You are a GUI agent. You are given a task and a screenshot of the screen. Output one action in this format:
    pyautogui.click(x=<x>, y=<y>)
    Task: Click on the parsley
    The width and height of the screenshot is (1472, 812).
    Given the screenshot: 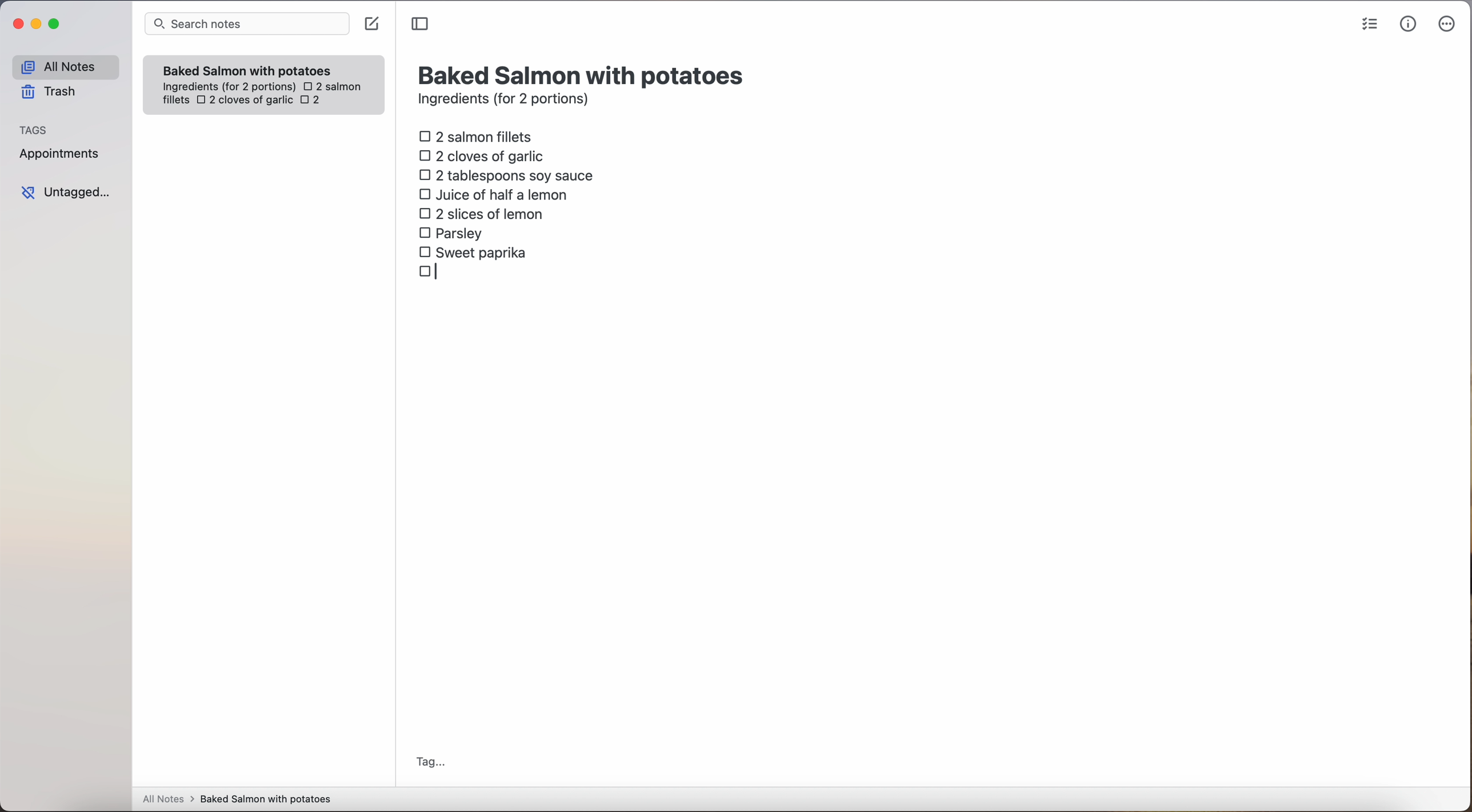 What is the action you would take?
    pyautogui.click(x=451, y=232)
    